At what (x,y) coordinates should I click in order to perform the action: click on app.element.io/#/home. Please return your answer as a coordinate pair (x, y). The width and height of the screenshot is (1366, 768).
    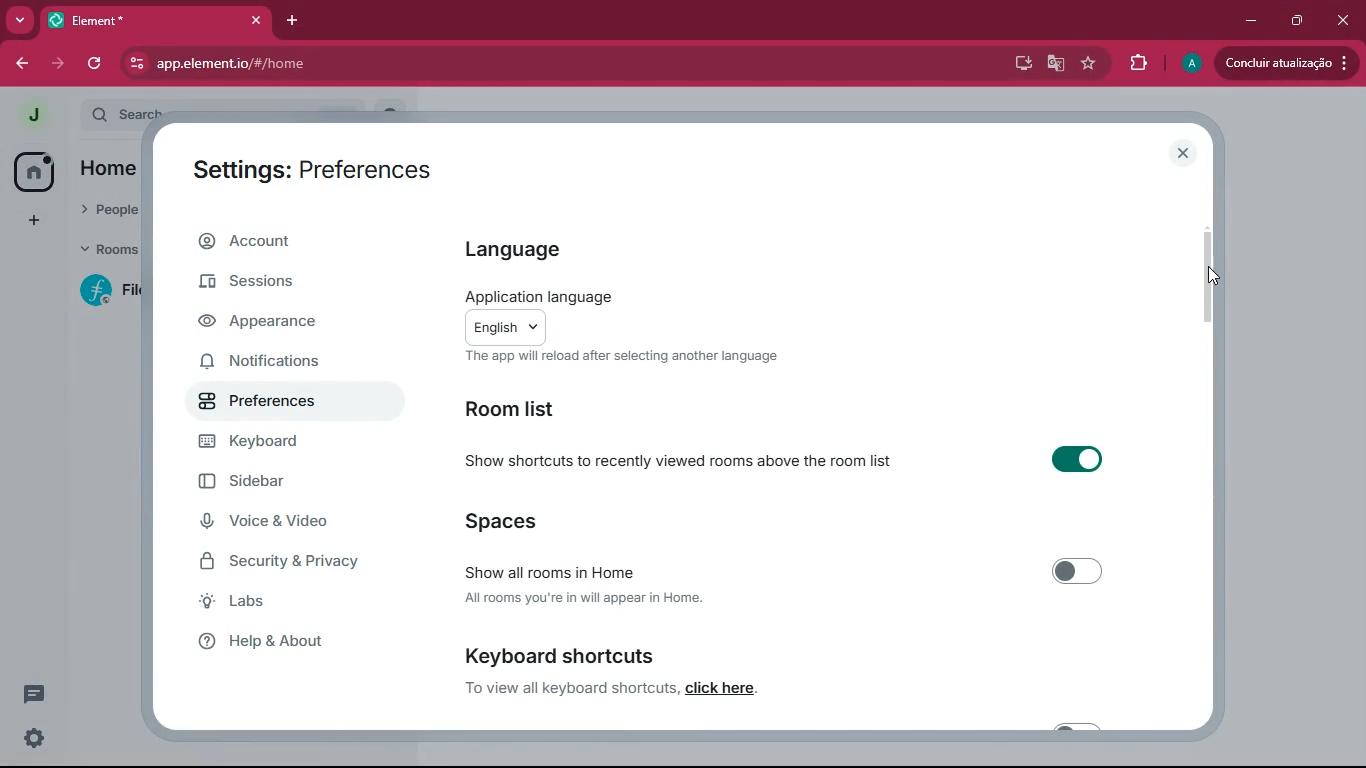
    Looking at the image, I should click on (349, 64).